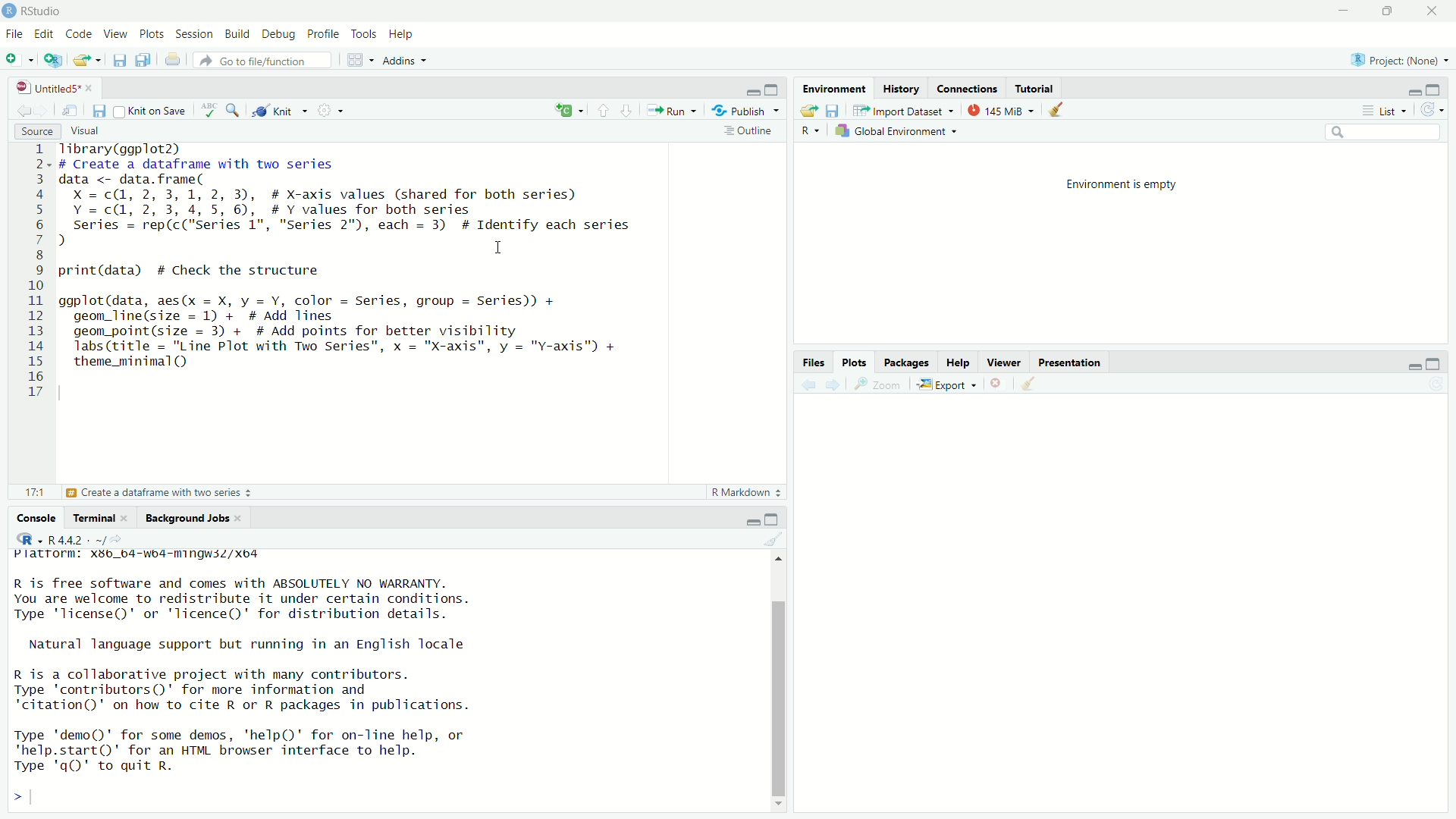  I want to click on Go forward to the next source selection, so click(833, 384).